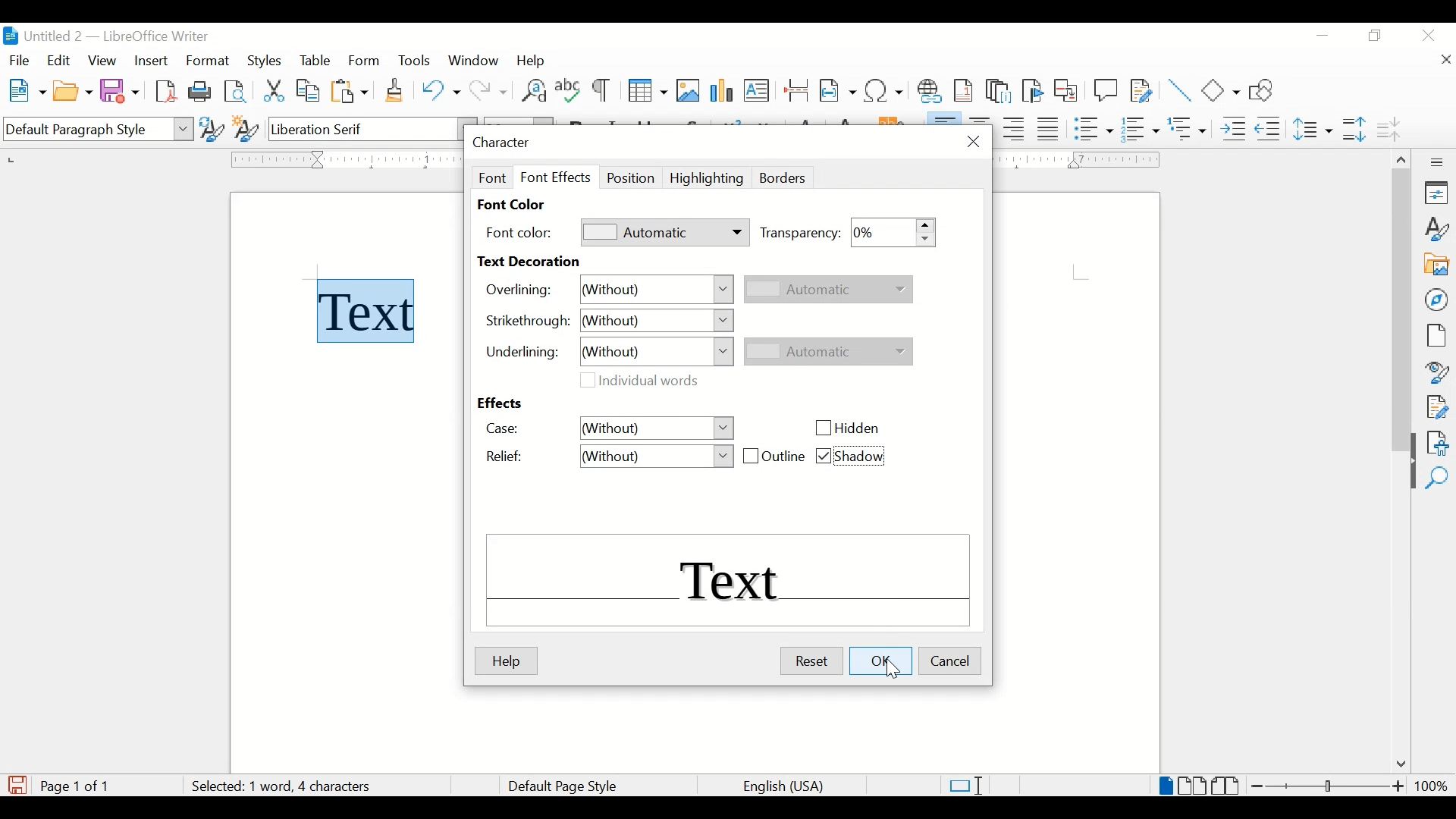 Image resolution: width=1456 pixels, height=819 pixels. I want to click on paste , so click(350, 91).